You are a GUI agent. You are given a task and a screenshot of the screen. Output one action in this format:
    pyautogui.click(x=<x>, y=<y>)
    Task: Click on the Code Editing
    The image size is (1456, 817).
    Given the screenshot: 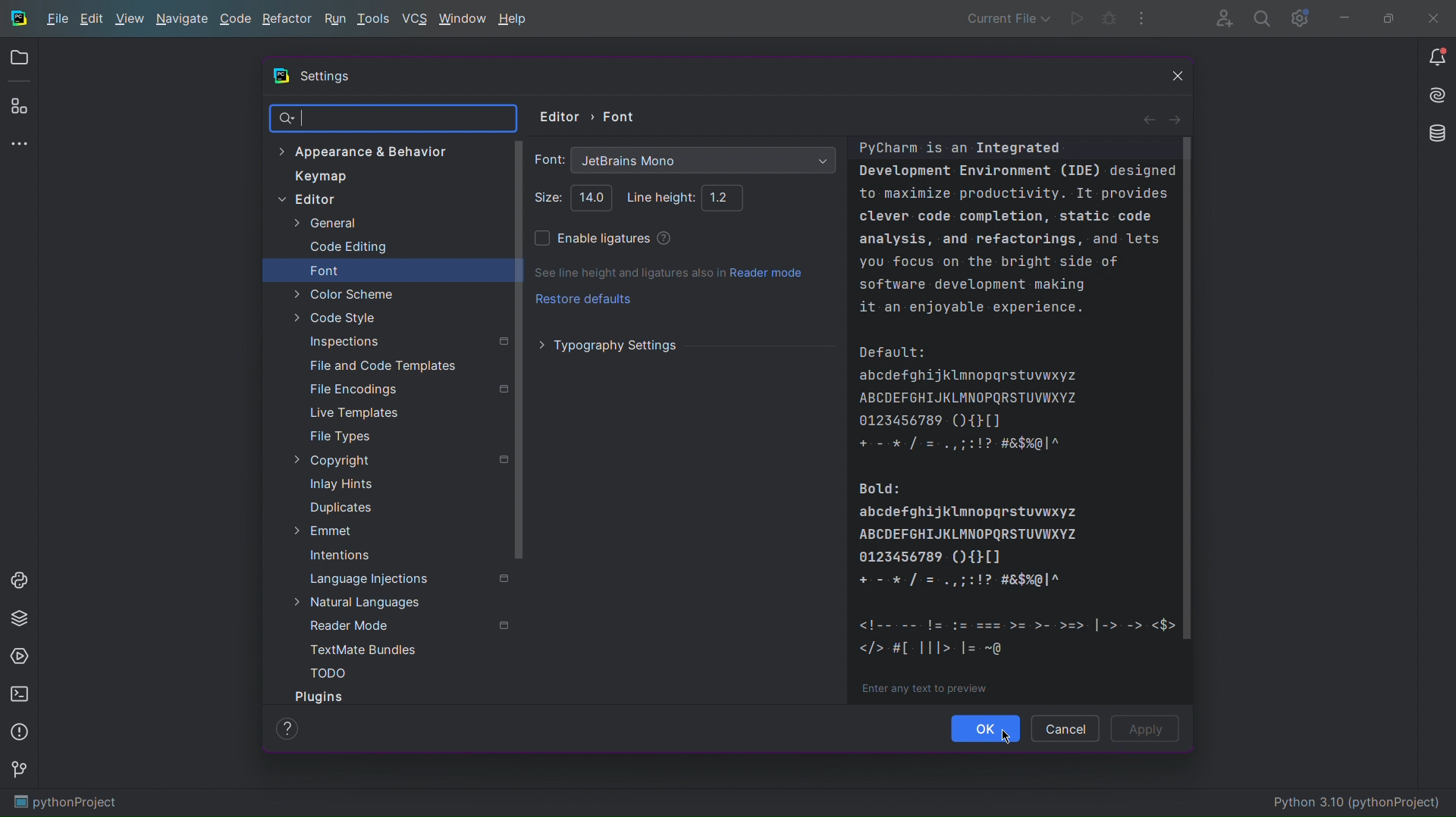 What is the action you would take?
    pyautogui.click(x=341, y=248)
    